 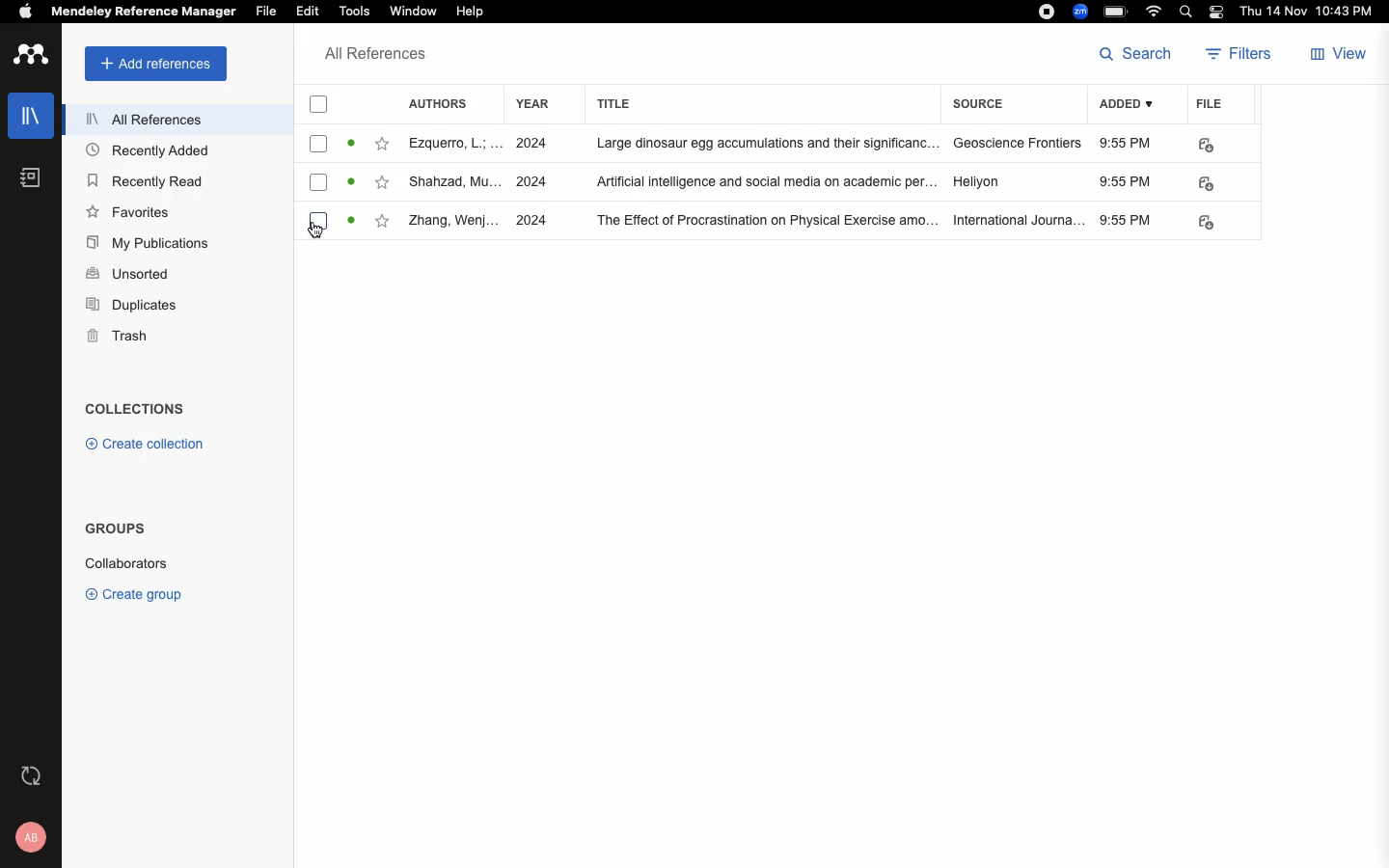 What do you see at coordinates (128, 273) in the screenshot?
I see `Unsorted` at bounding box center [128, 273].